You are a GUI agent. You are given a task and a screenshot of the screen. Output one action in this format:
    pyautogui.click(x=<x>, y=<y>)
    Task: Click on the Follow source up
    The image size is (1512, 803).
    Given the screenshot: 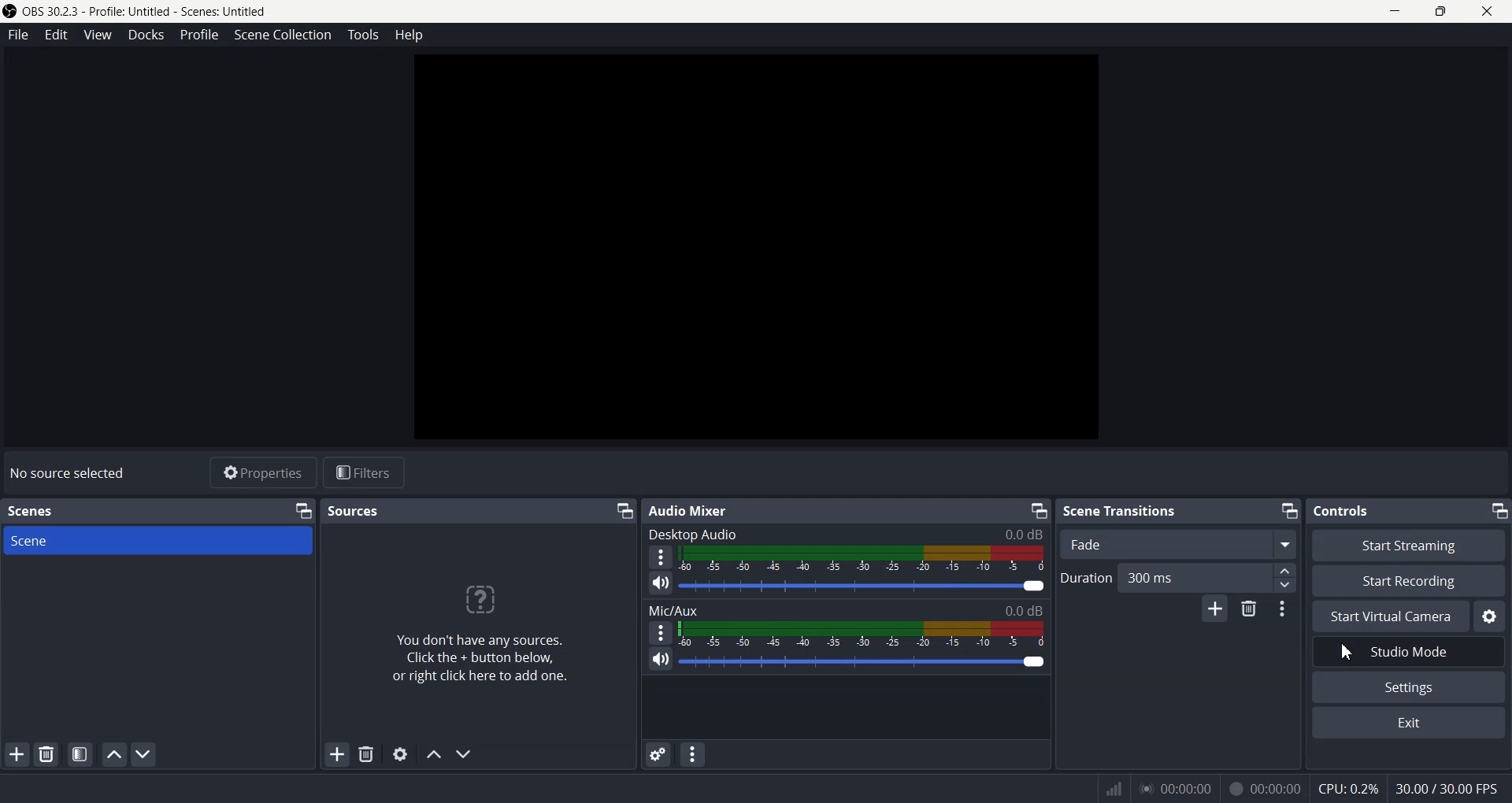 What is the action you would take?
    pyautogui.click(x=433, y=754)
    